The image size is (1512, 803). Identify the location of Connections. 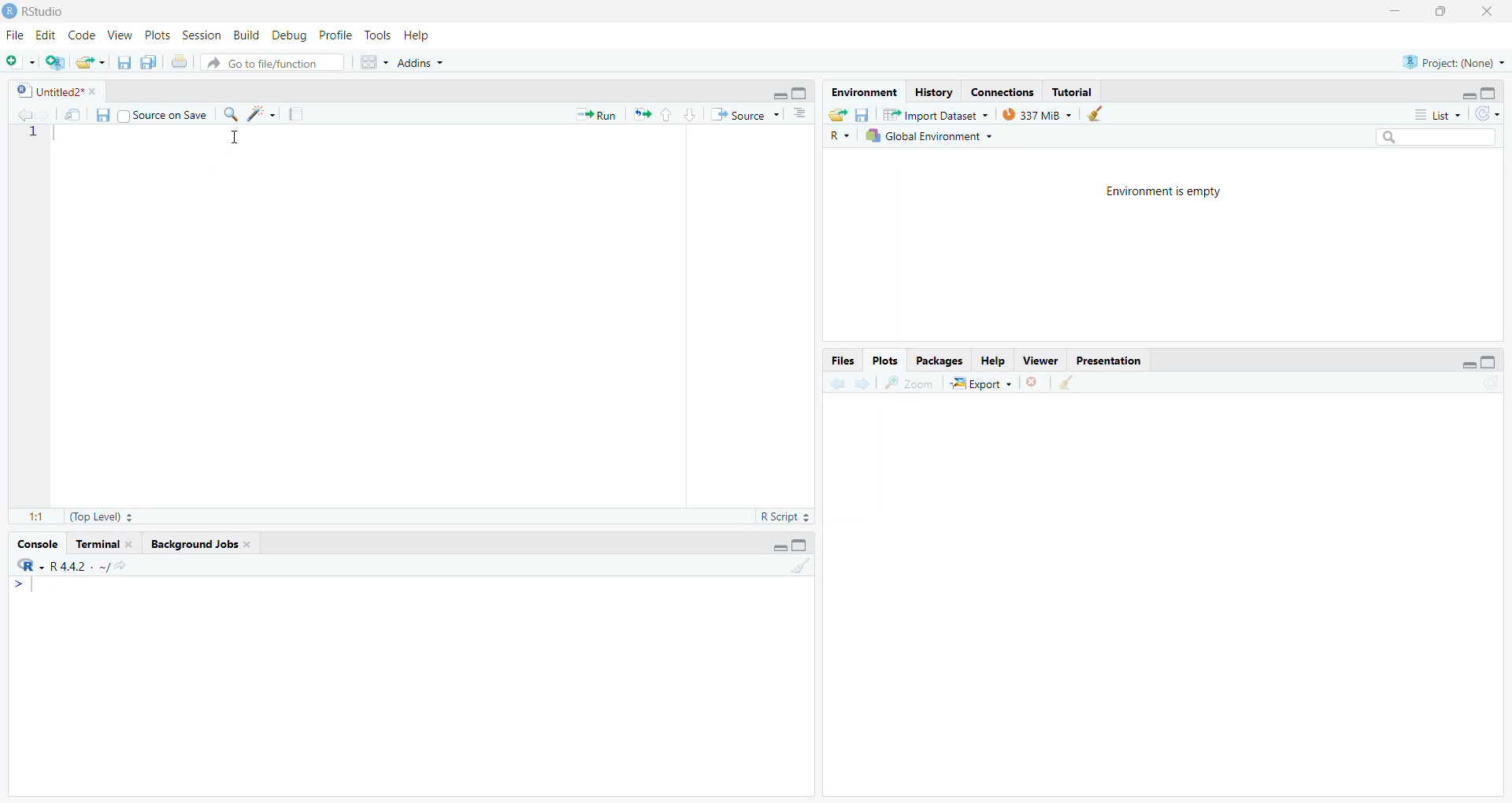
(1003, 92).